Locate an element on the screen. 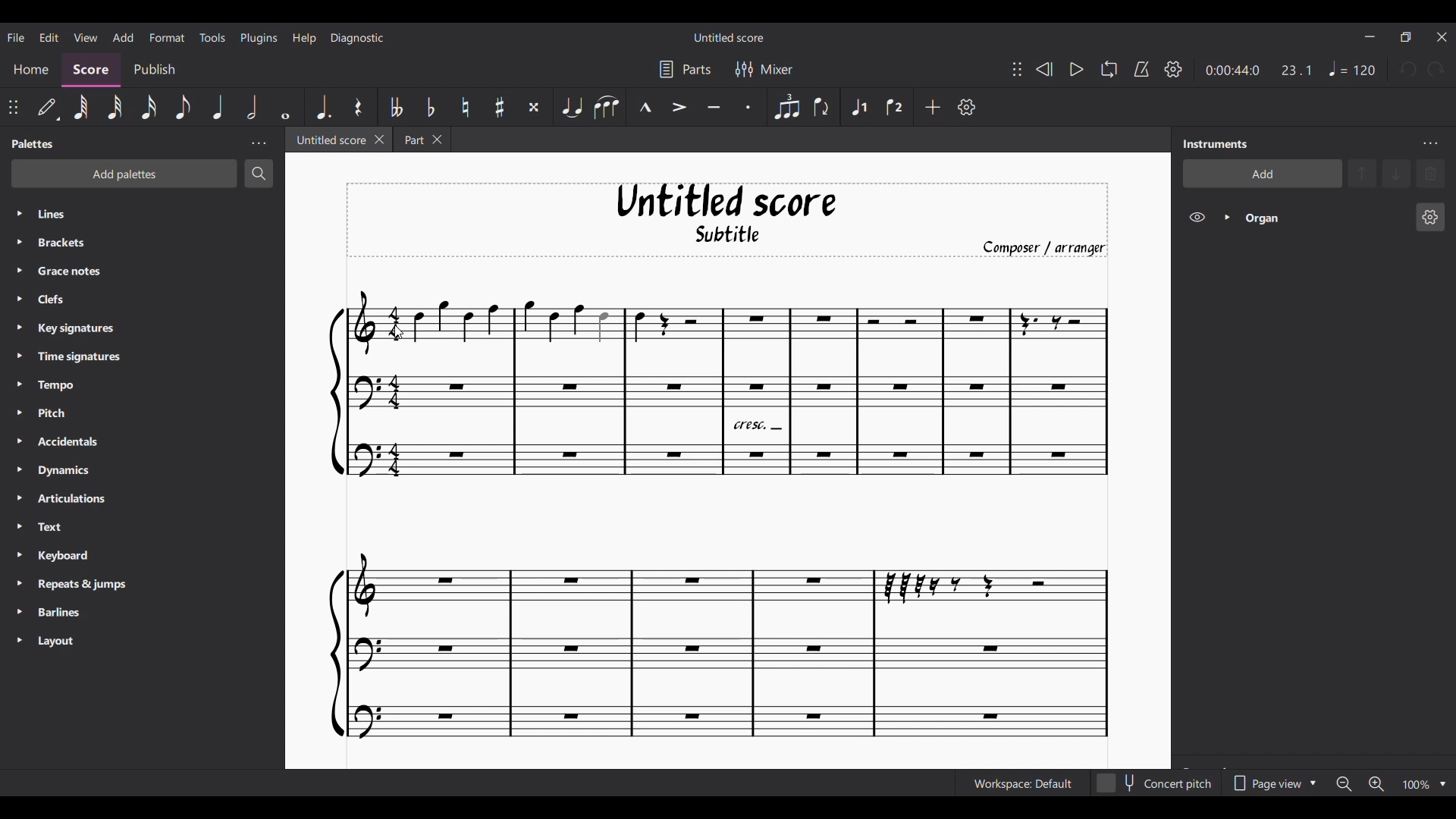  Add instrument is located at coordinates (1263, 174).